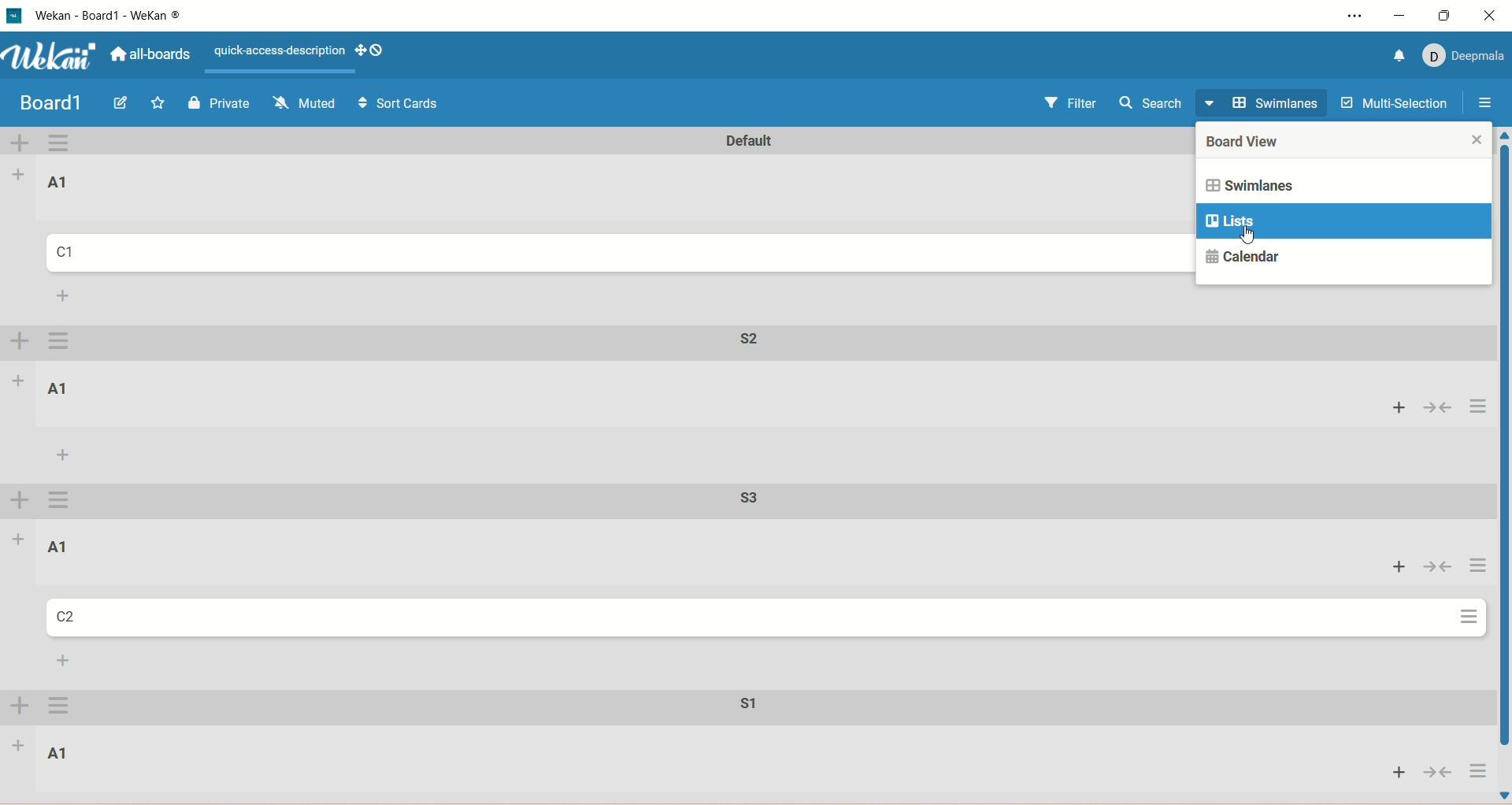 The height and width of the screenshot is (805, 1512). What do you see at coordinates (1503, 466) in the screenshot?
I see `vertical scroll bar` at bounding box center [1503, 466].